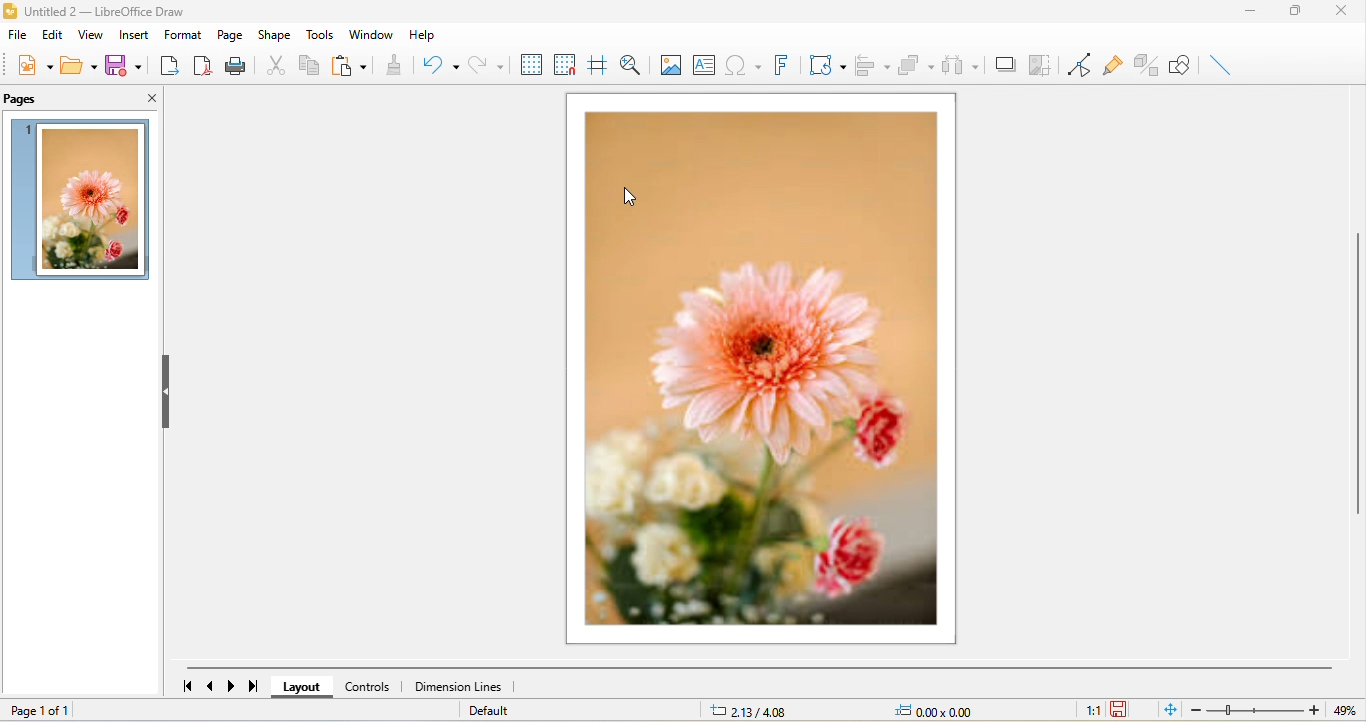 The image size is (1366, 722). What do you see at coordinates (77, 62) in the screenshot?
I see `open` at bounding box center [77, 62].